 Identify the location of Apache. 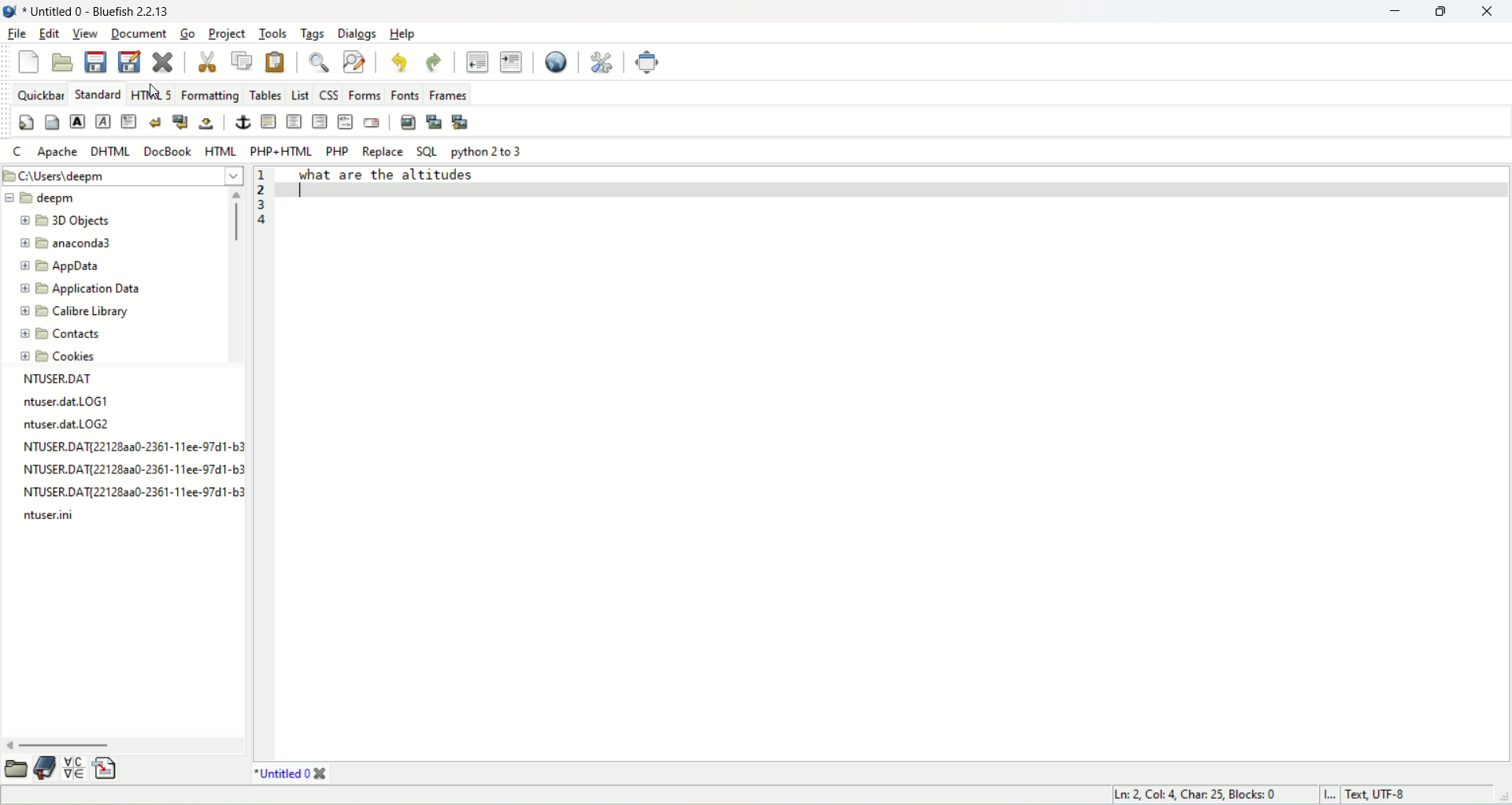
(59, 151).